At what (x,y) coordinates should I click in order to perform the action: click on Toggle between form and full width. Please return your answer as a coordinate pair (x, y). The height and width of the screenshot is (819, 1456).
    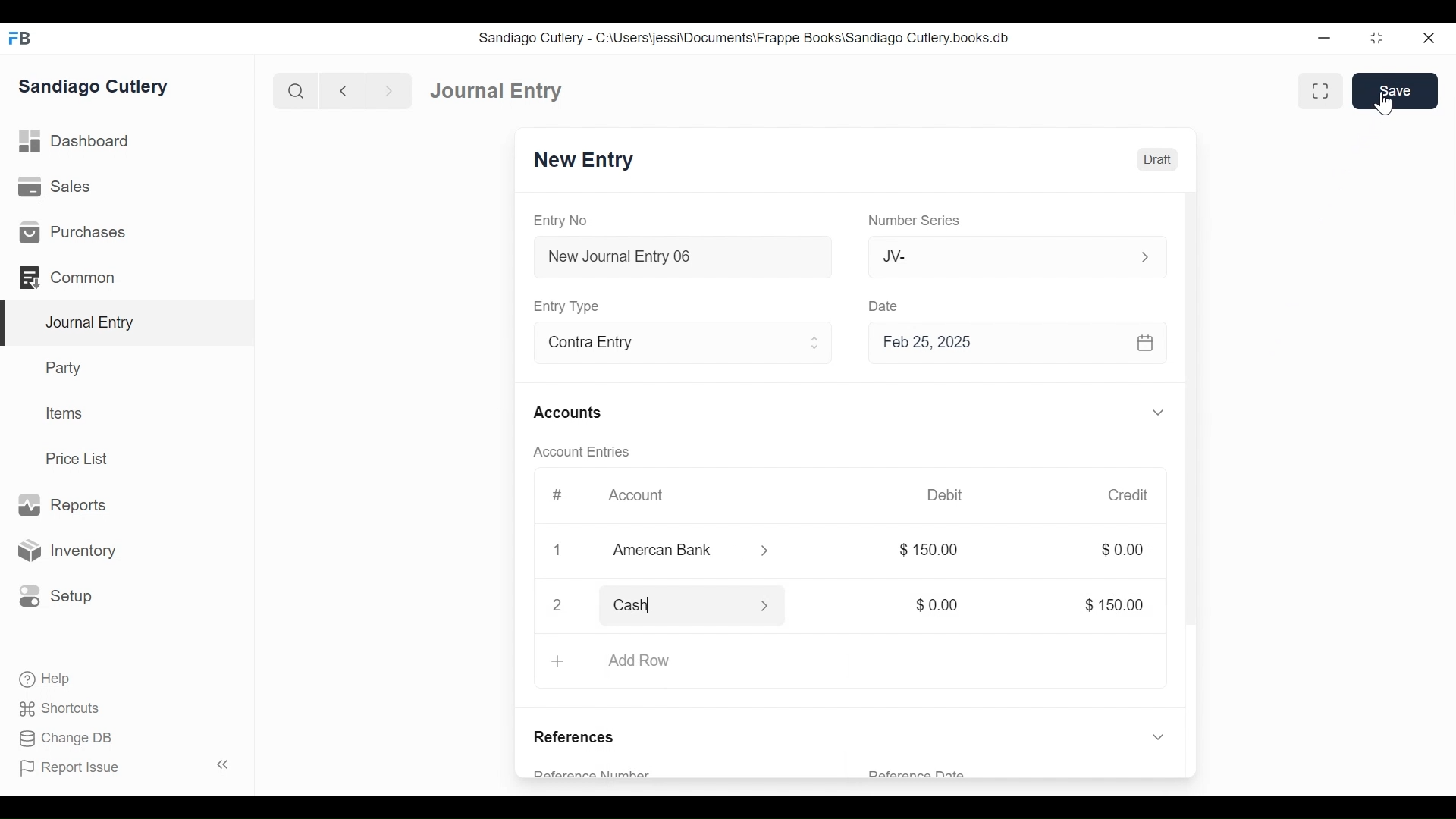
    Looking at the image, I should click on (1320, 91).